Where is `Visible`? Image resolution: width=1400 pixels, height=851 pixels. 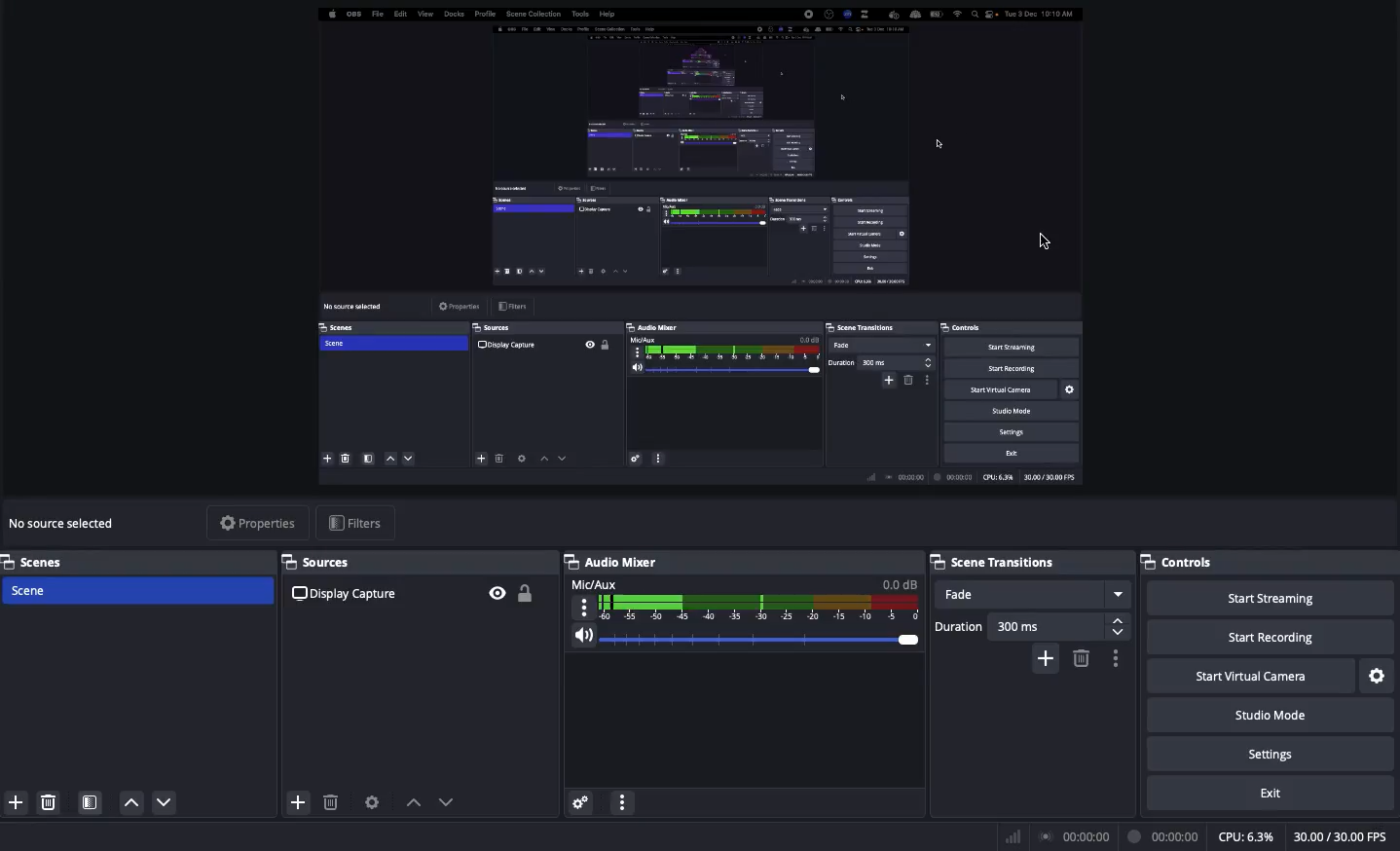 Visible is located at coordinates (497, 592).